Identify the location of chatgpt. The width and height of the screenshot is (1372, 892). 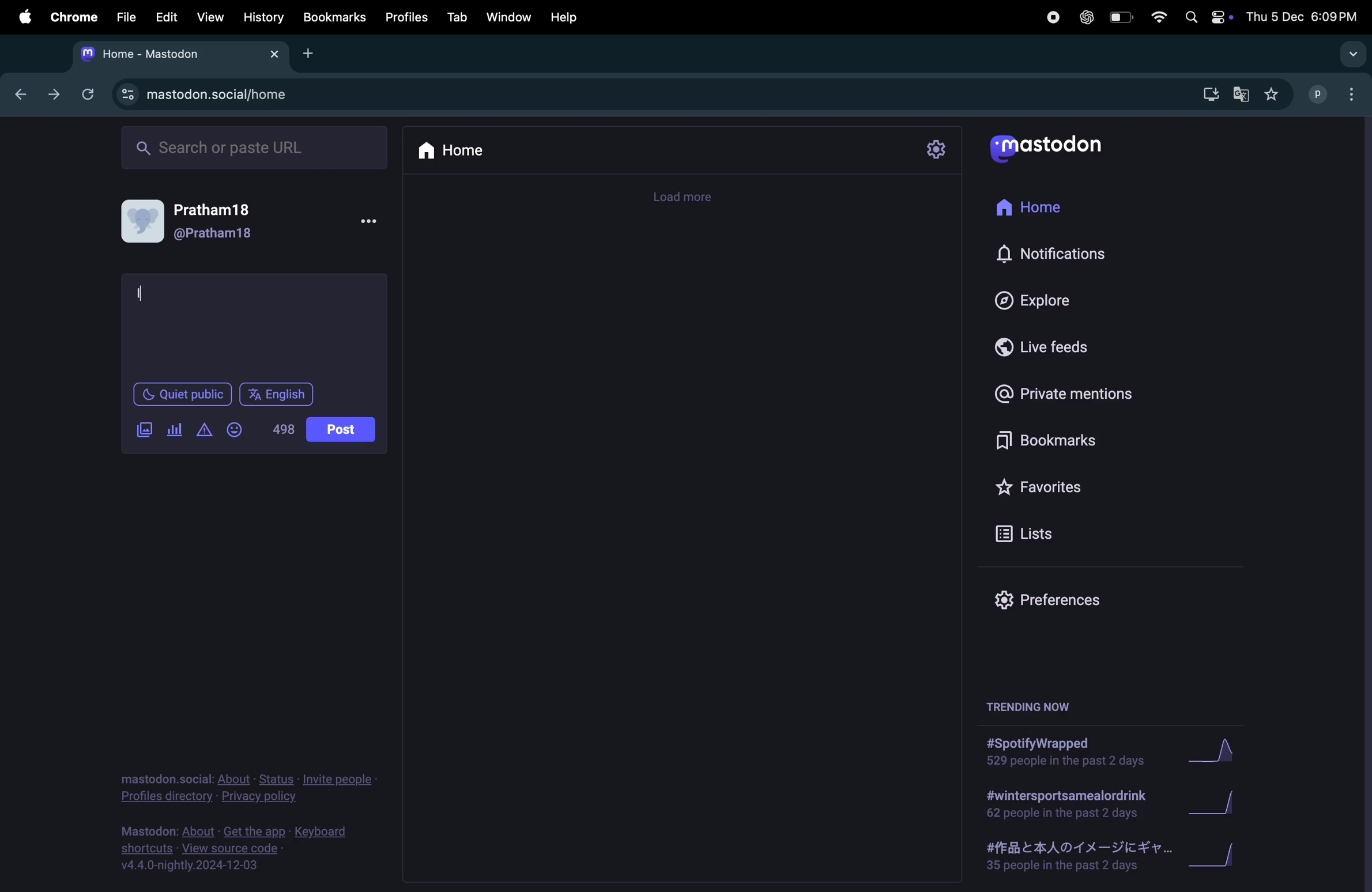
(1085, 20).